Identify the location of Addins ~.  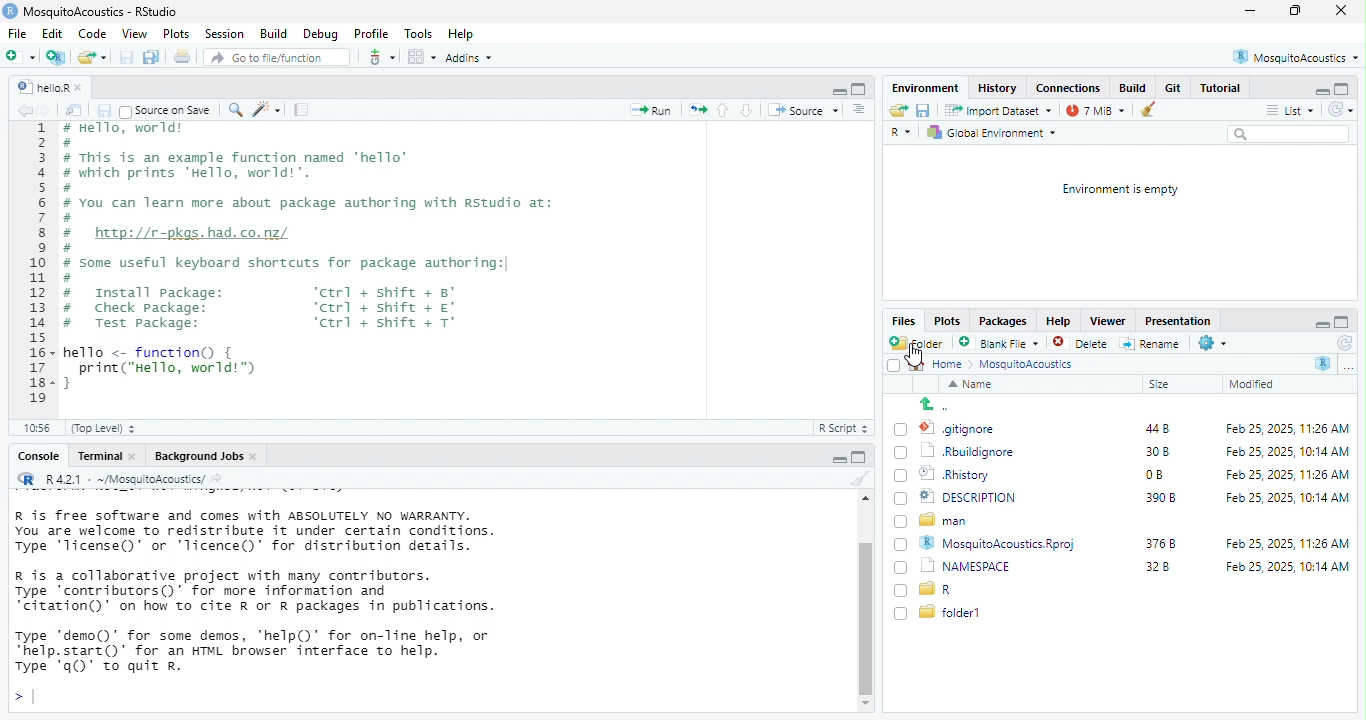
(473, 58).